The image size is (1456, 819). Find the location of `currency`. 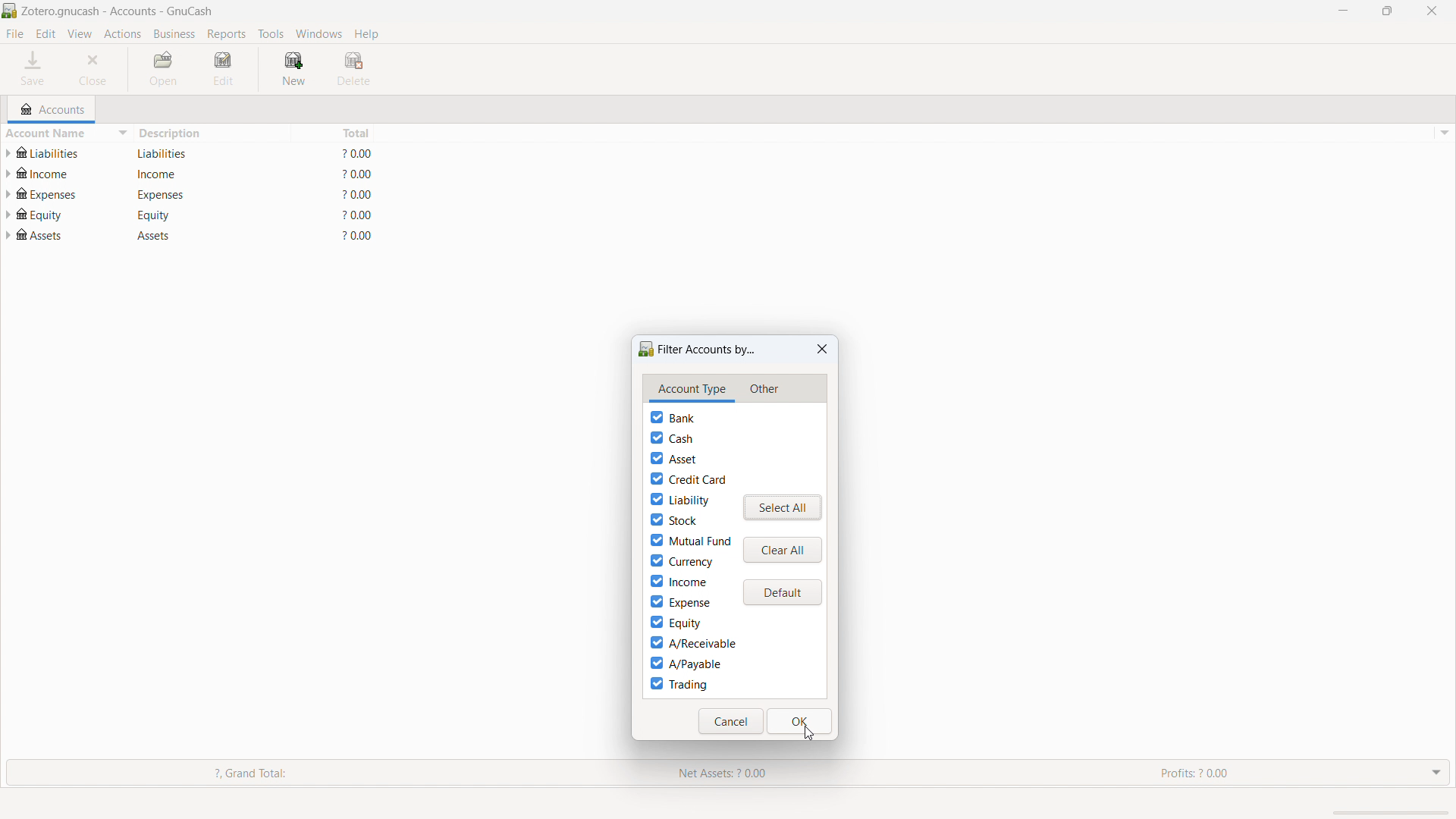

currency is located at coordinates (682, 560).